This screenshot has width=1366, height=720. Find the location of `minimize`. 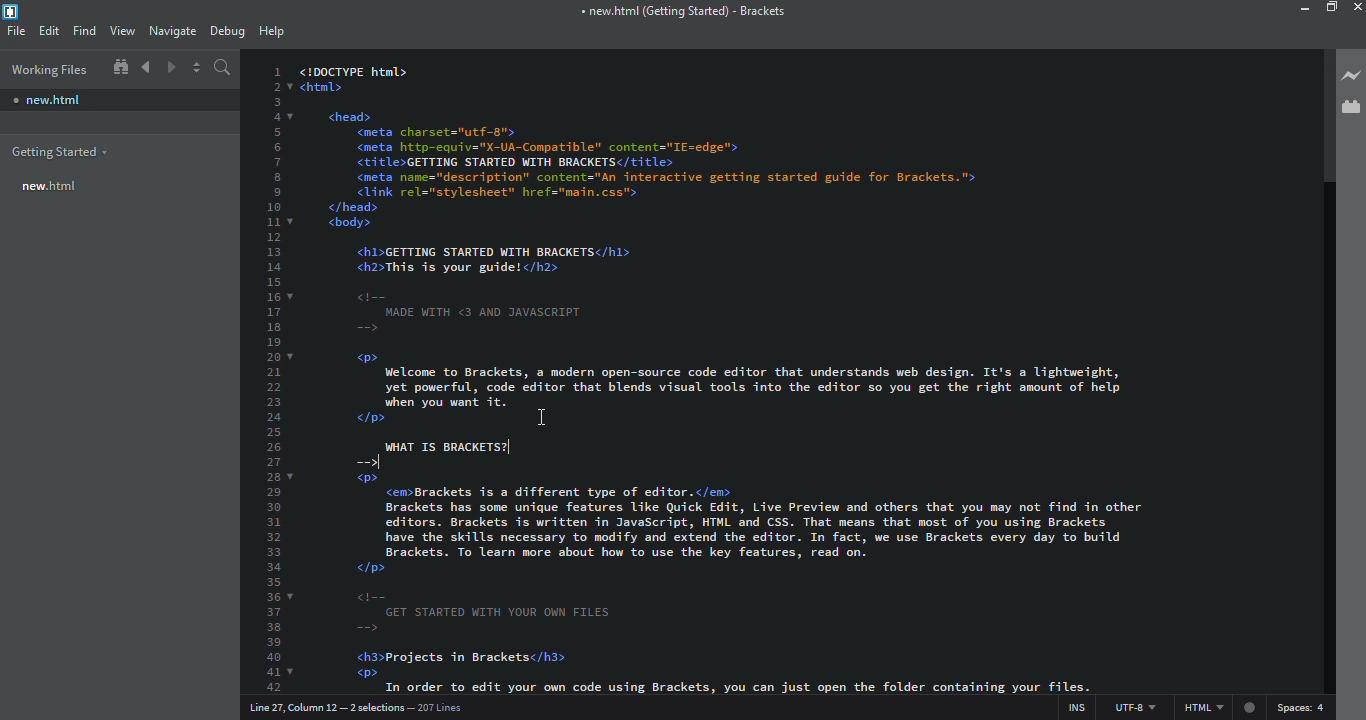

minimize is located at coordinates (1306, 9).